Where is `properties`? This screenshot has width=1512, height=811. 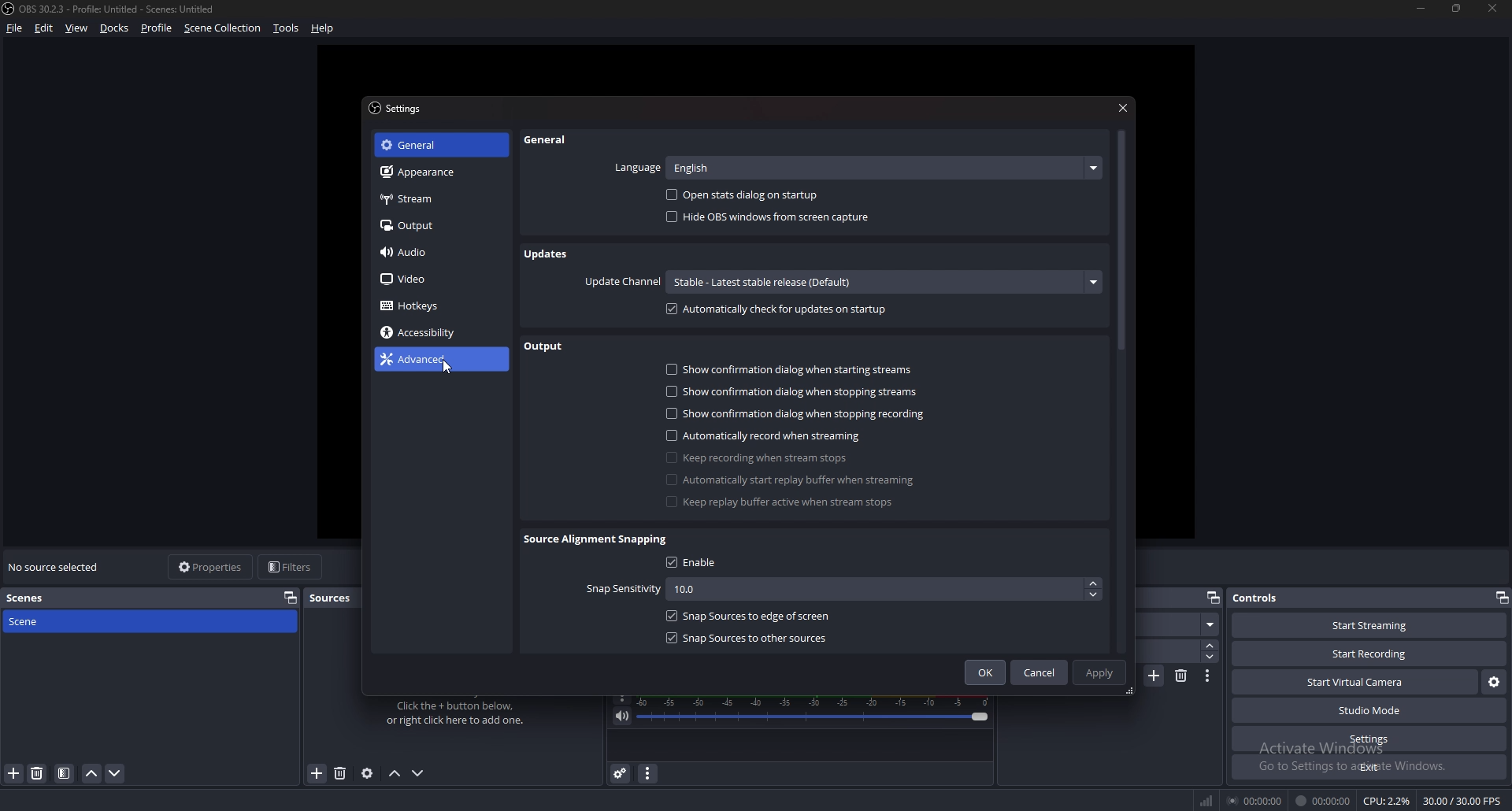
properties is located at coordinates (211, 566).